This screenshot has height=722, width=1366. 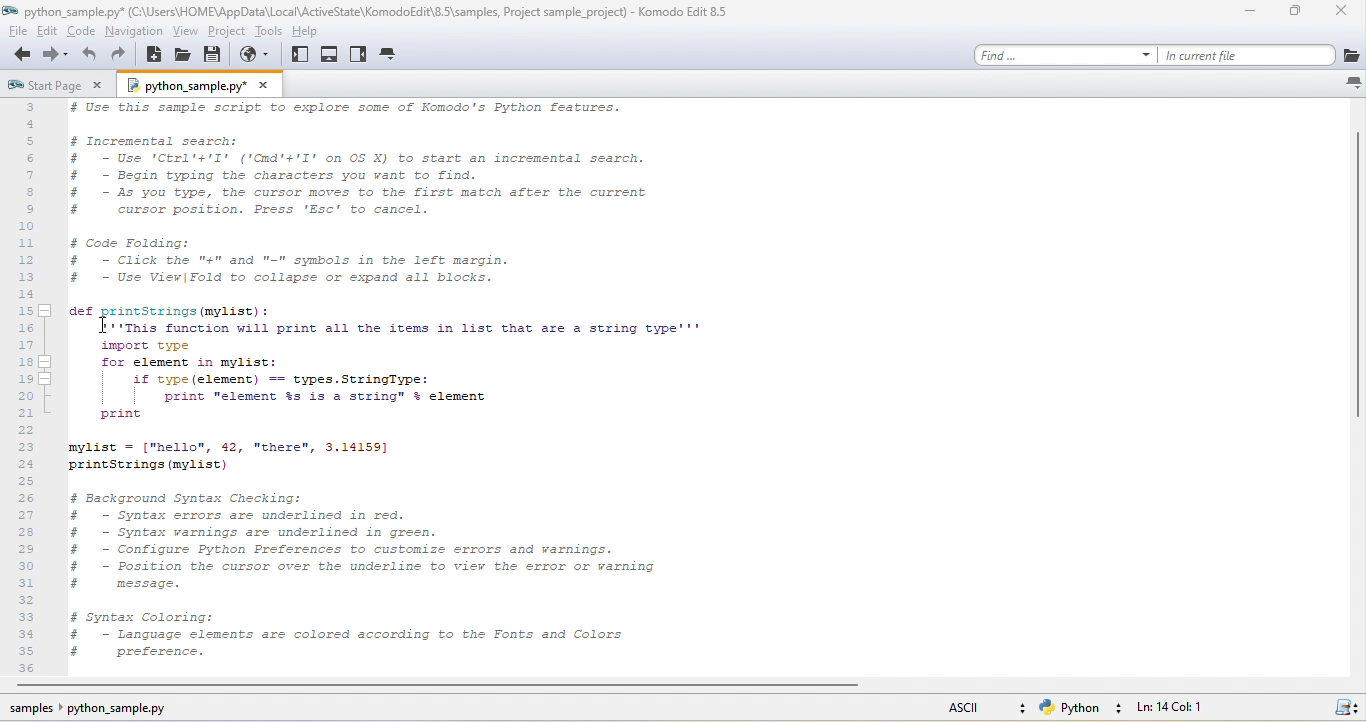 I want to click on browse, so click(x=260, y=56).